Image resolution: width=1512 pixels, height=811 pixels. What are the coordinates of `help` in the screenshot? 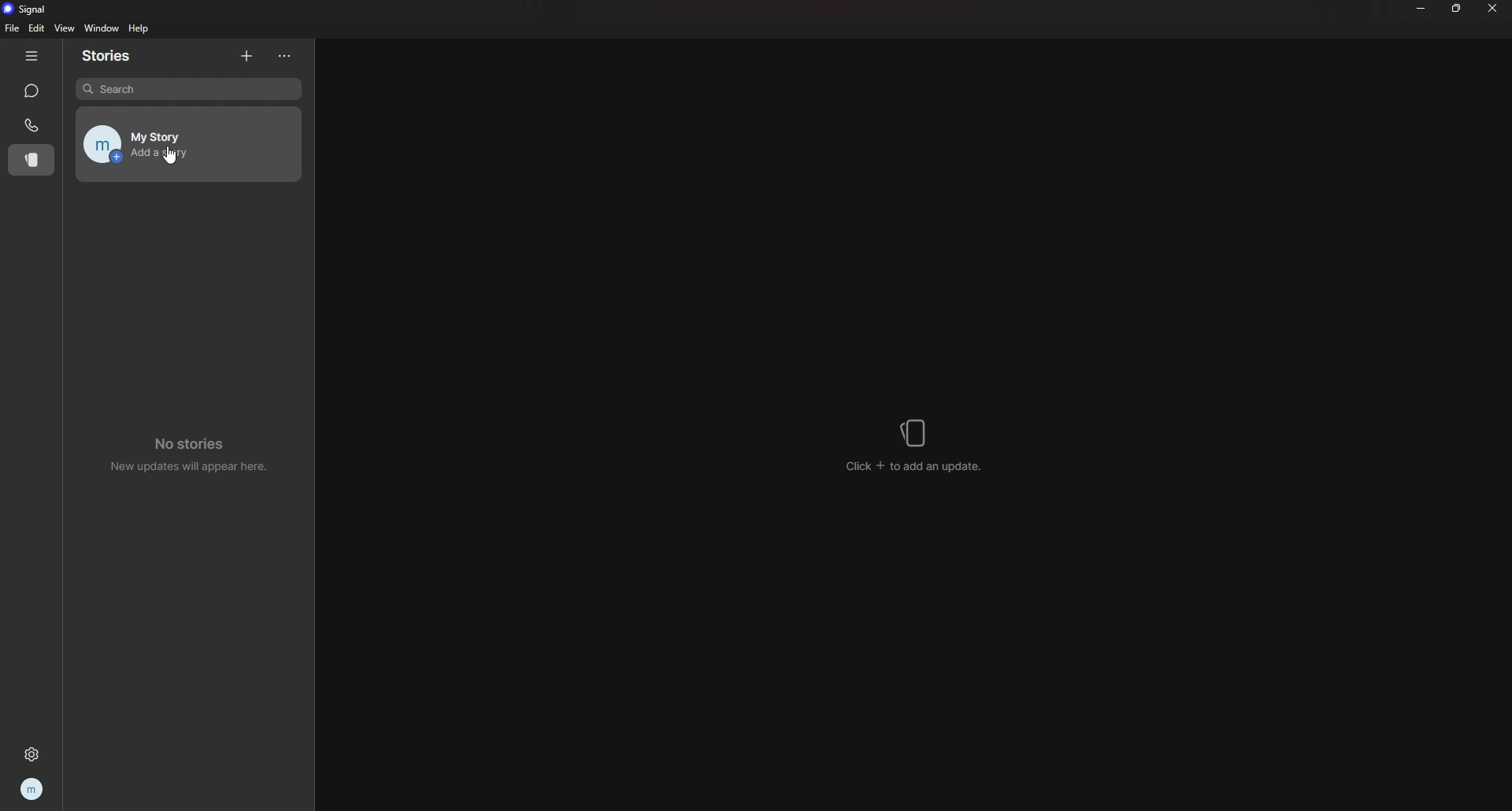 It's located at (140, 28).